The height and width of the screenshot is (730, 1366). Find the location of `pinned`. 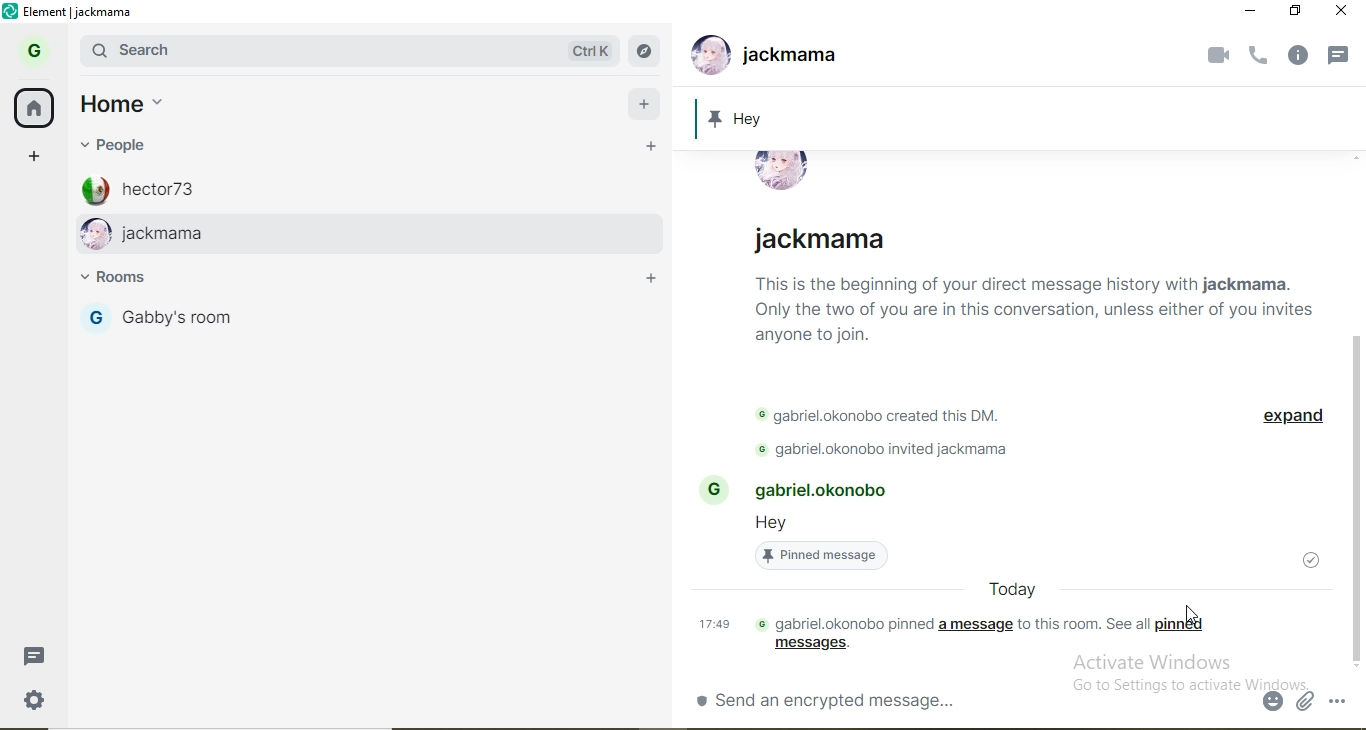

pinned is located at coordinates (1177, 625).